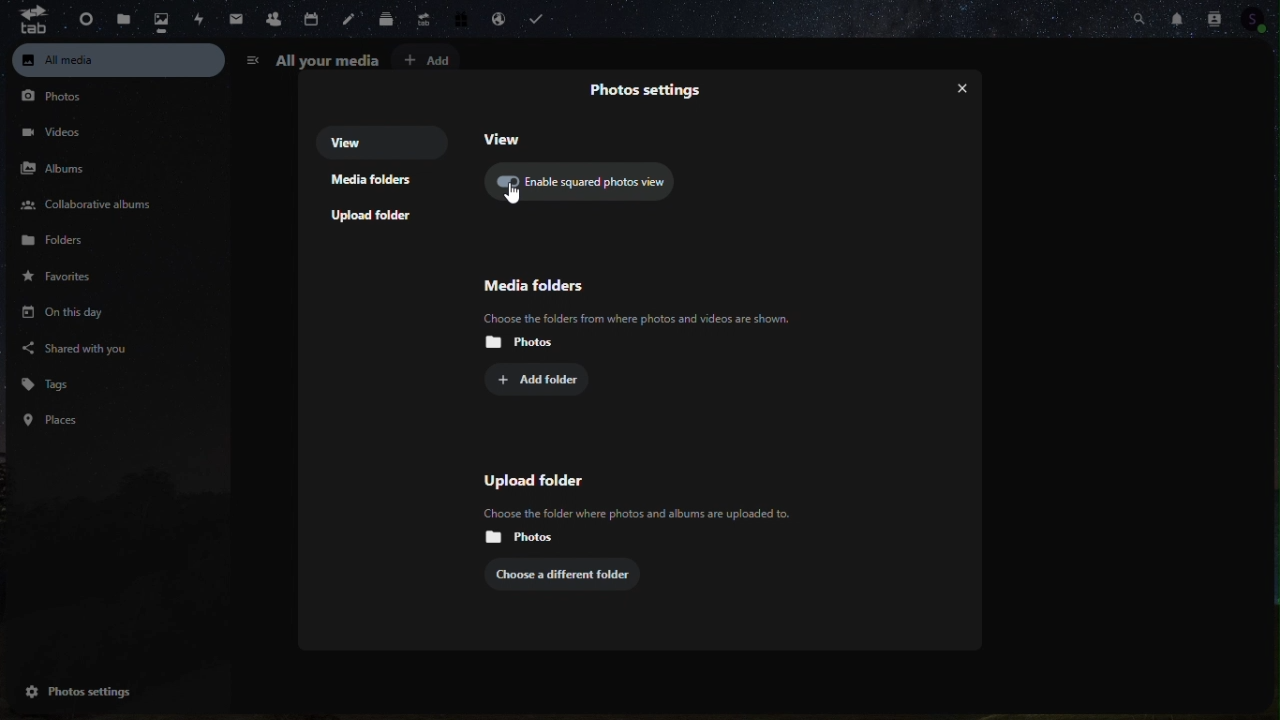 This screenshot has width=1280, height=720. I want to click on photo, so click(163, 21).